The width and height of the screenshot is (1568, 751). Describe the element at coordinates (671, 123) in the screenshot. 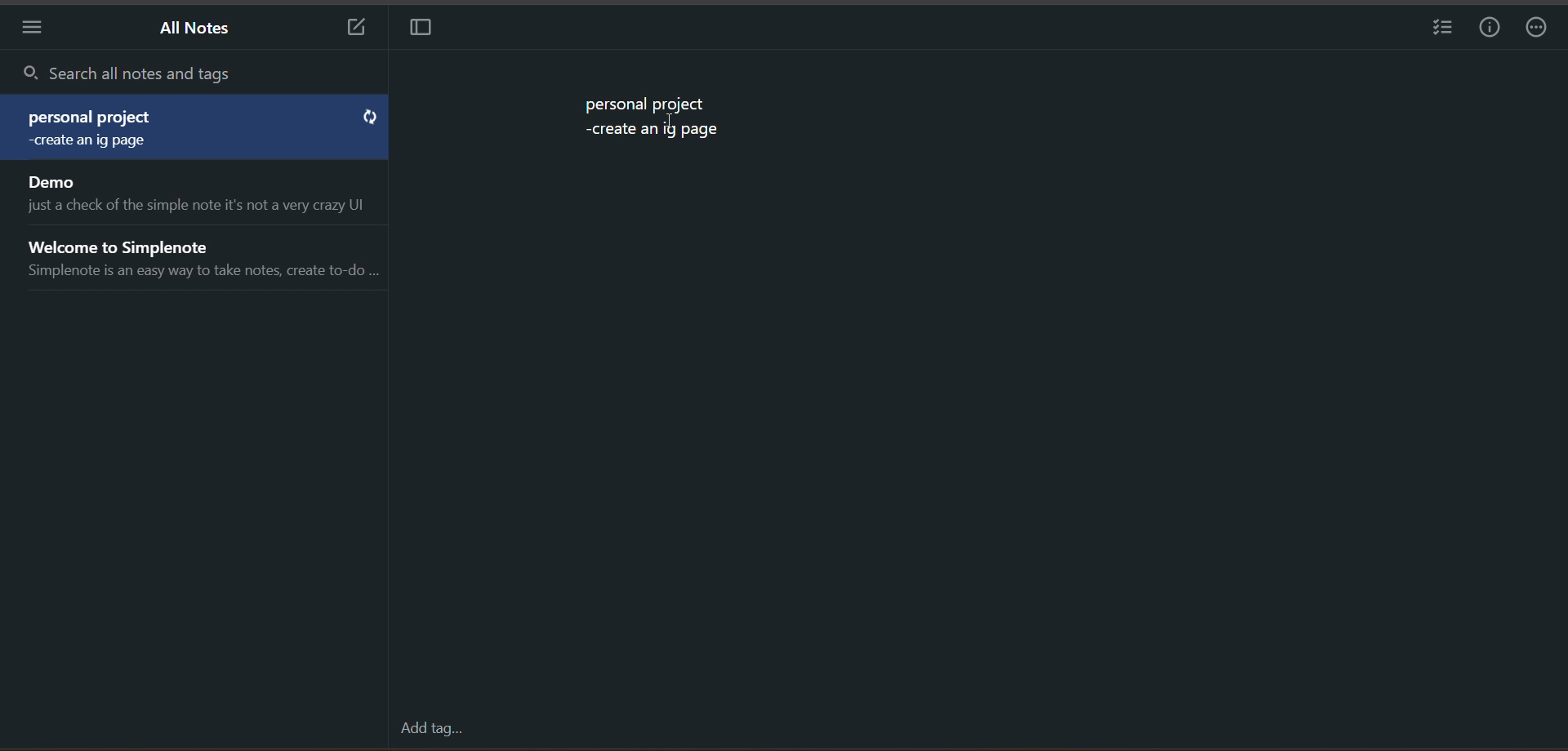

I see `cursor` at that location.